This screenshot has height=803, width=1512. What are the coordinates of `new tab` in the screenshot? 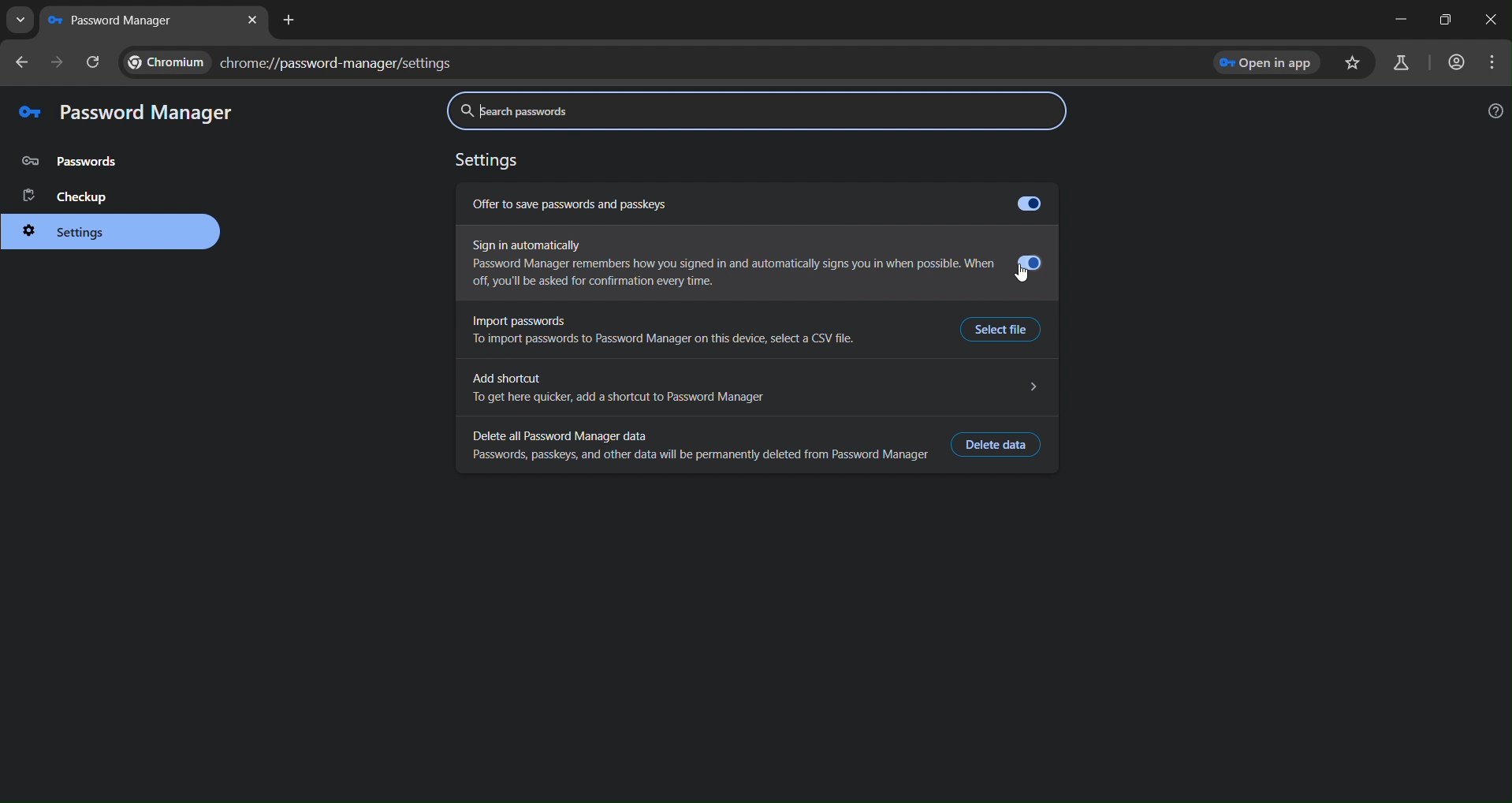 It's located at (292, 21).